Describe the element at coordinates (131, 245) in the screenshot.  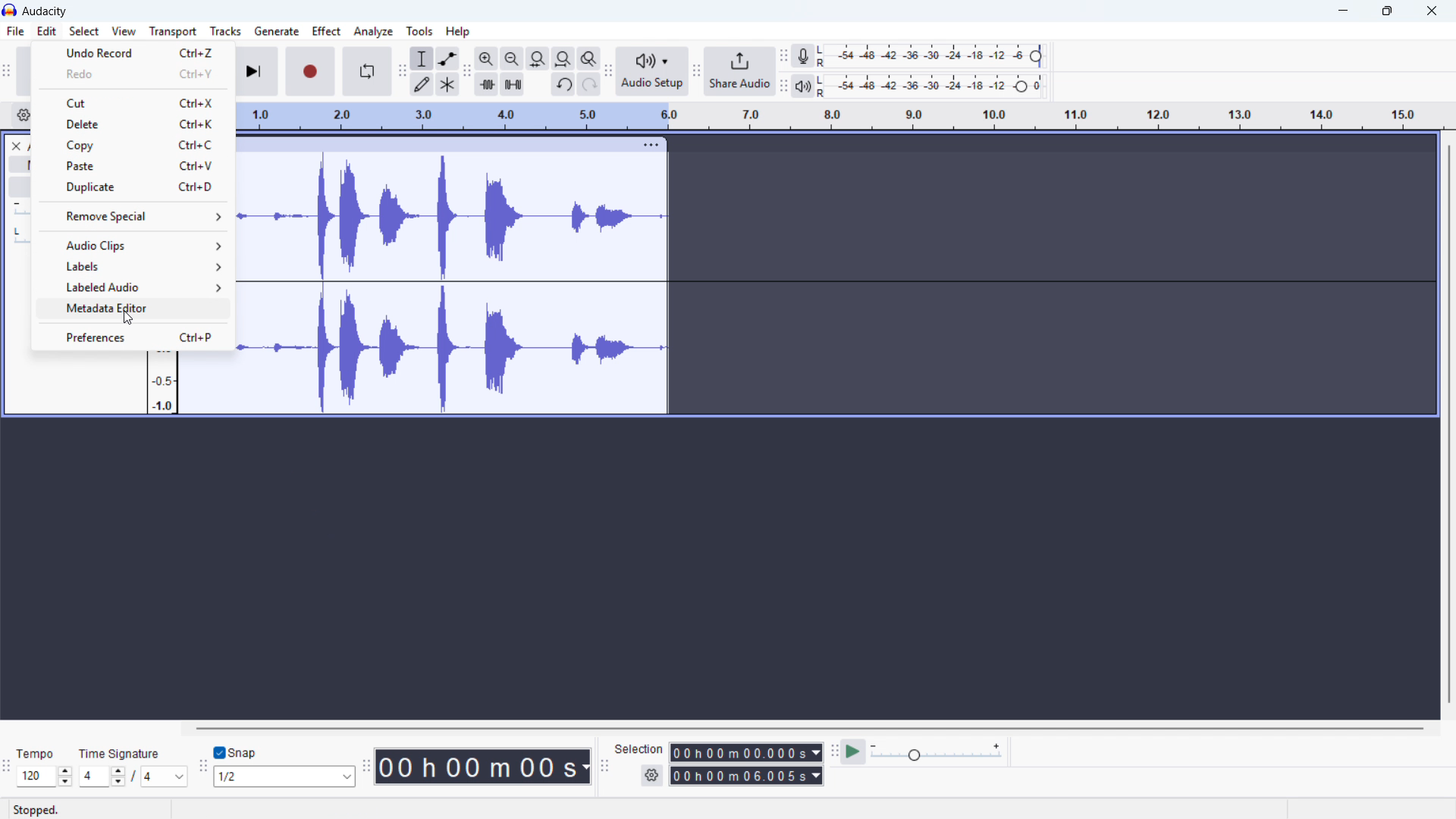
I see `audio clips` at that location.